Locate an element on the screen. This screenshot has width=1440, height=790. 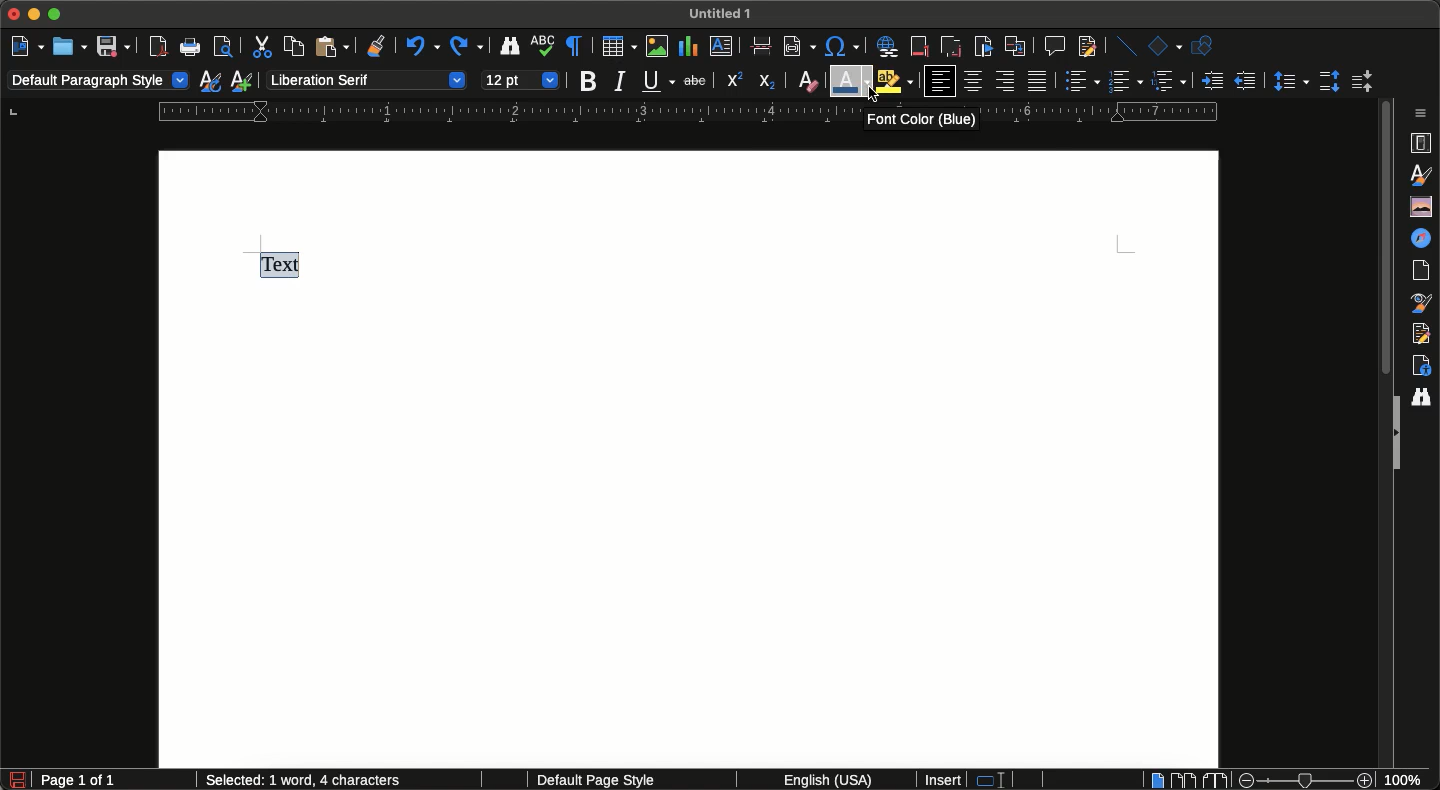
Italics is located at coordinates (620, 82).